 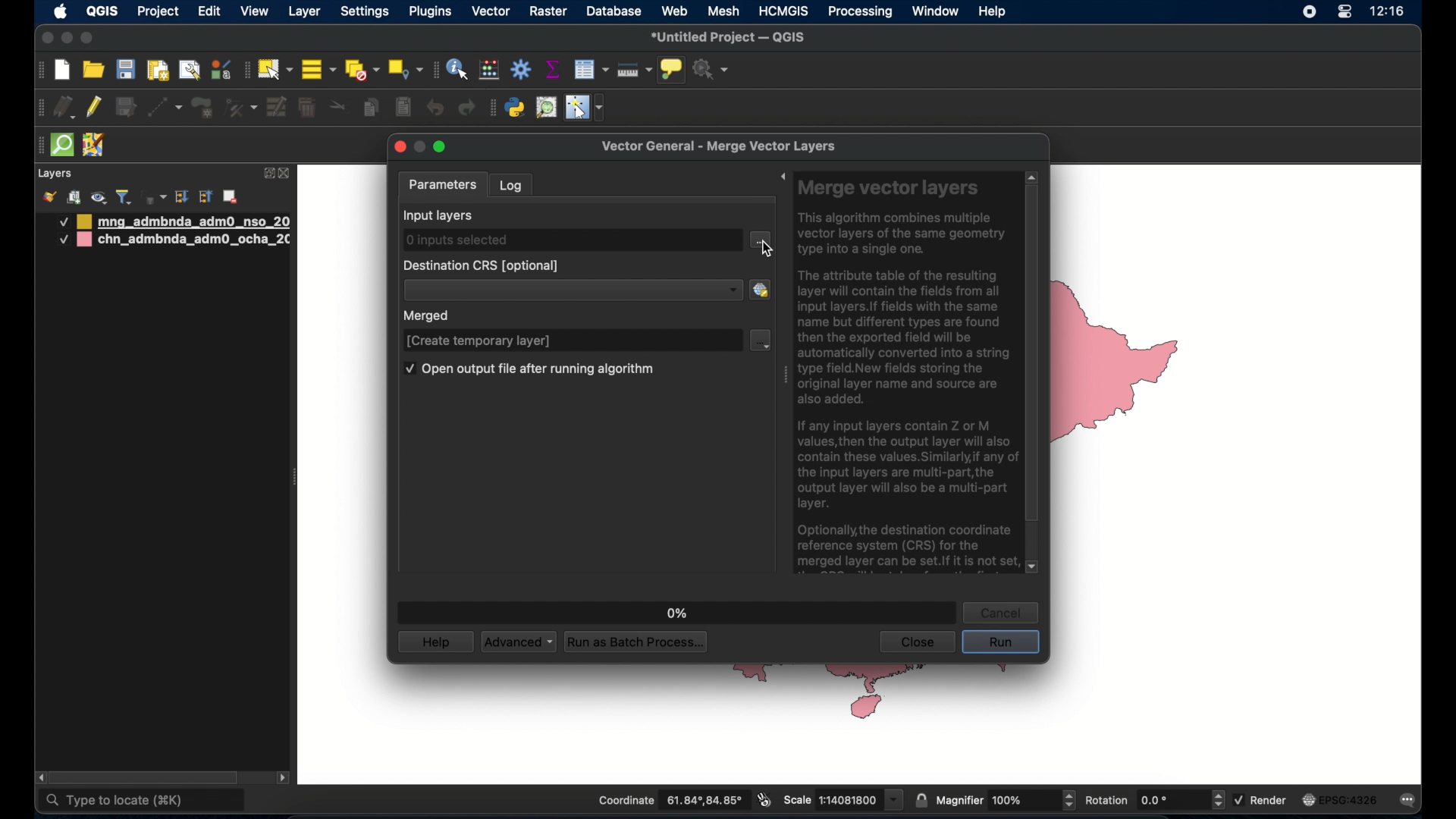 What do you see at coordinates (268, 172) in the screenshot?
I see `expand` at bounding box center [268, 172].